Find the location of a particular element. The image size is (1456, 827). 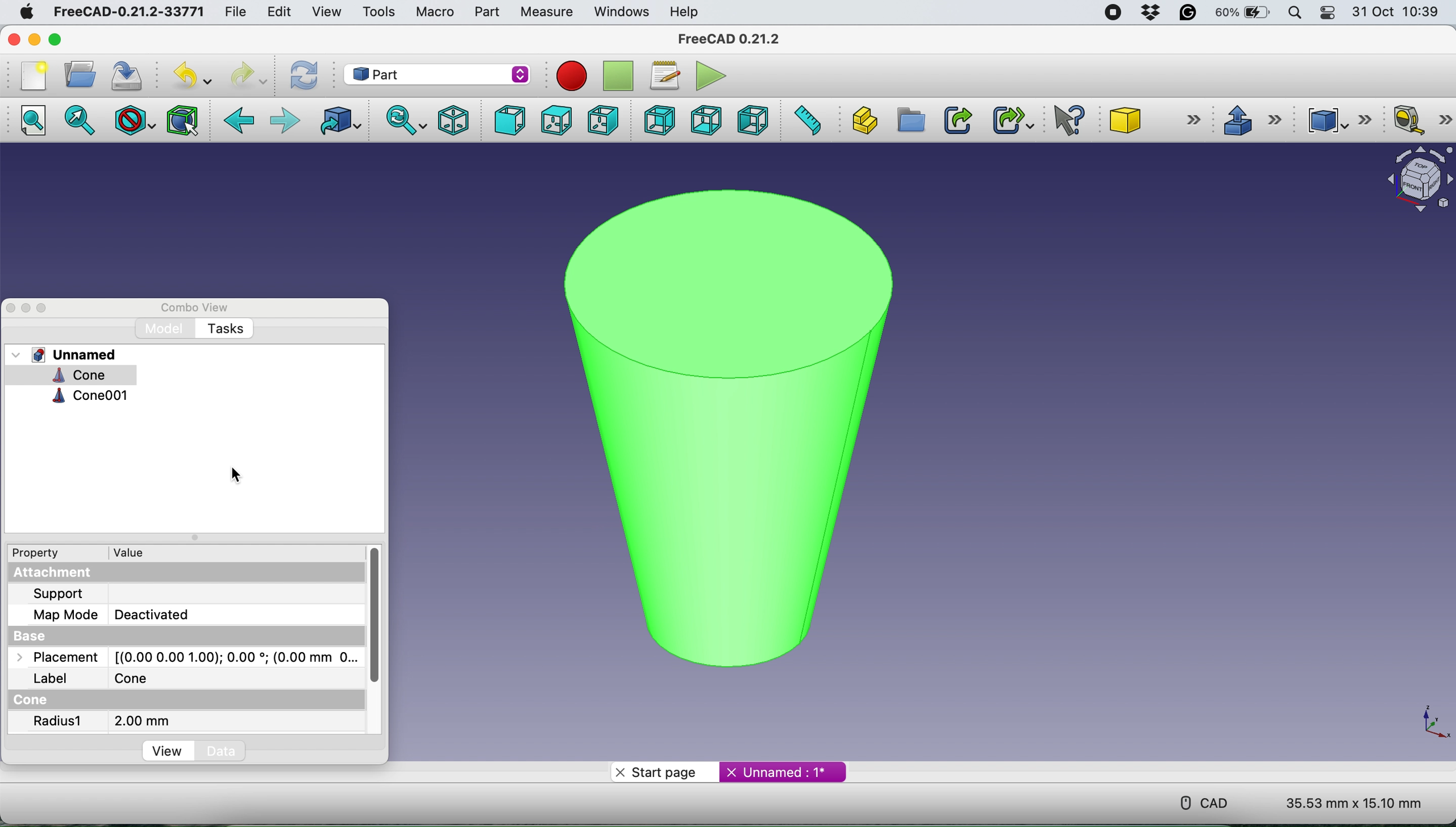

support is located at coordinates (61, 594).